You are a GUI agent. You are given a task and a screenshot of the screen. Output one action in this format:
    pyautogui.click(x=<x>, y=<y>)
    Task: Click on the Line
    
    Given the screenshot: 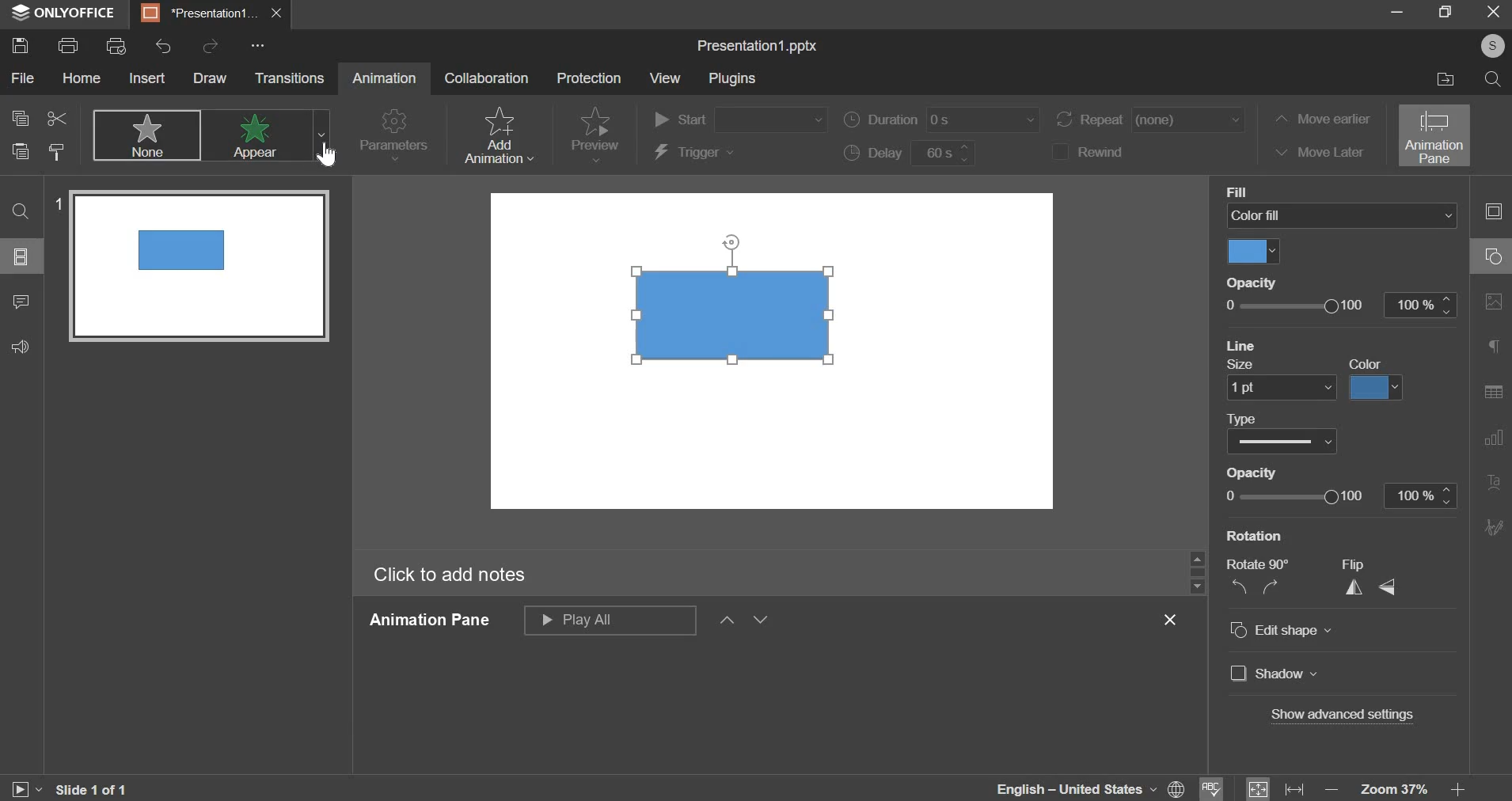 What is the action you would take?
    pyautogui.click(x=1244, y=345)
    